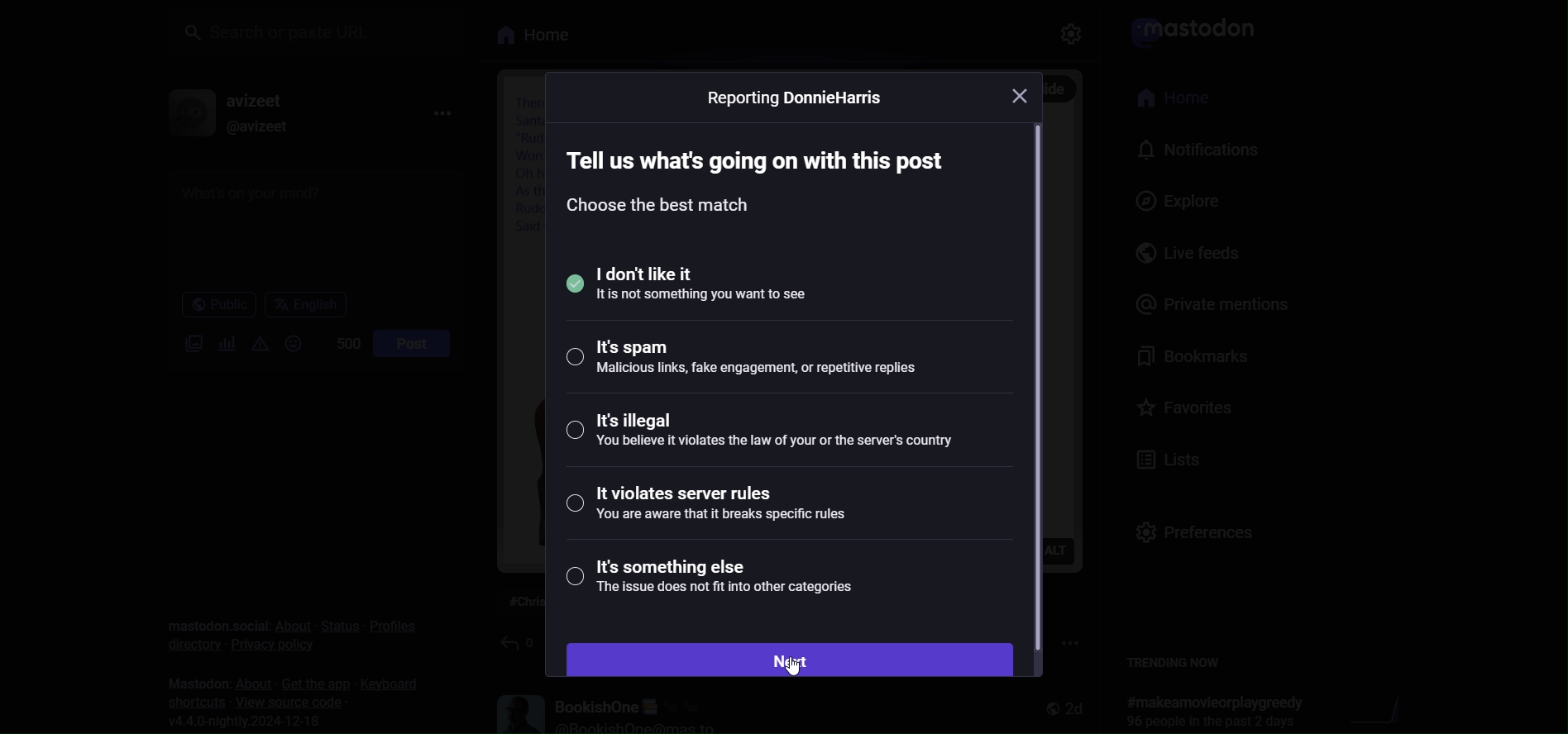  Describe the element at coordinates (745, 362) in the screenshot. I see `It's spamMalicious links, fake engagement, or repetitive replies` at that location.